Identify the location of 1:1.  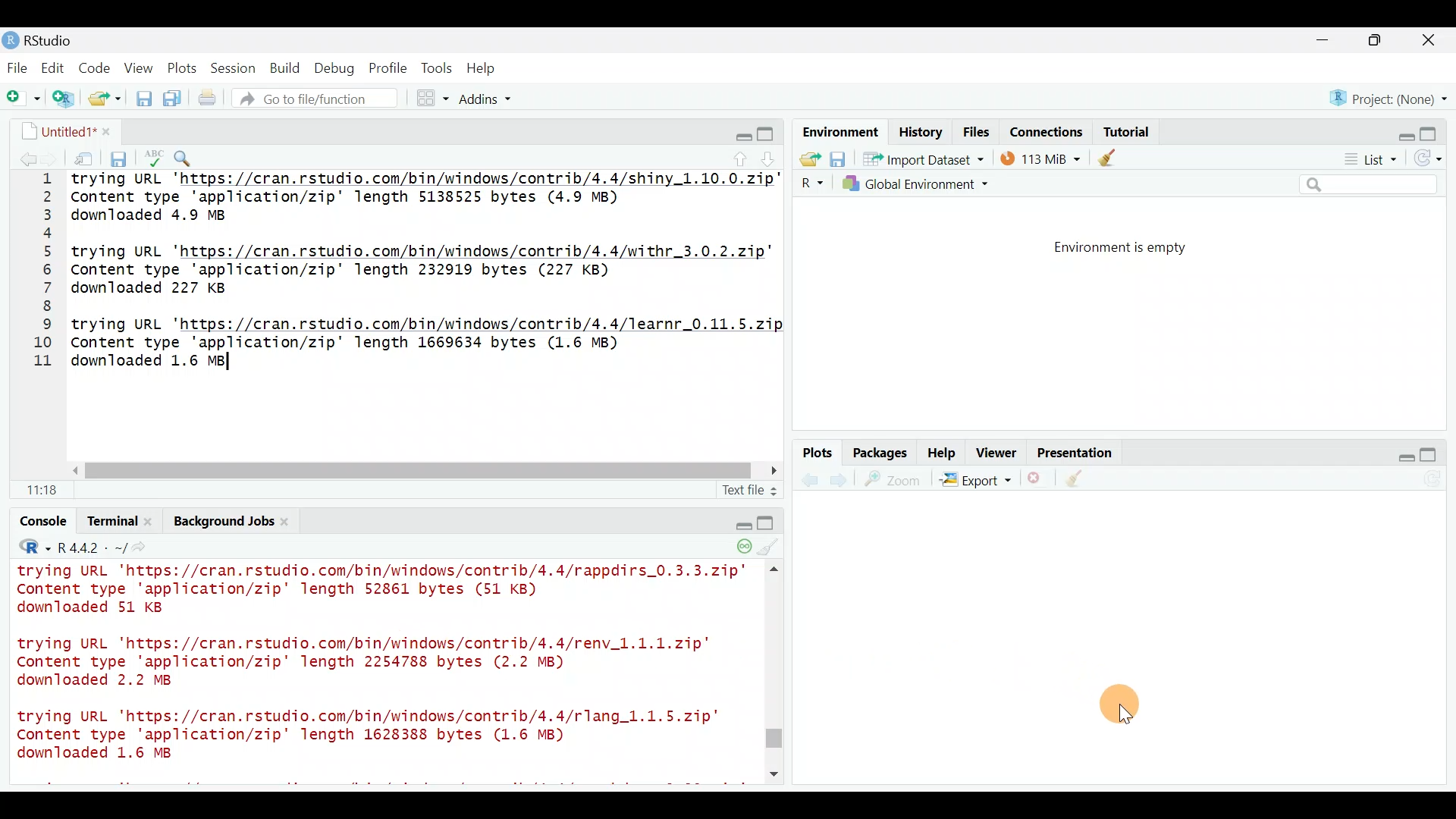
(45, 489).